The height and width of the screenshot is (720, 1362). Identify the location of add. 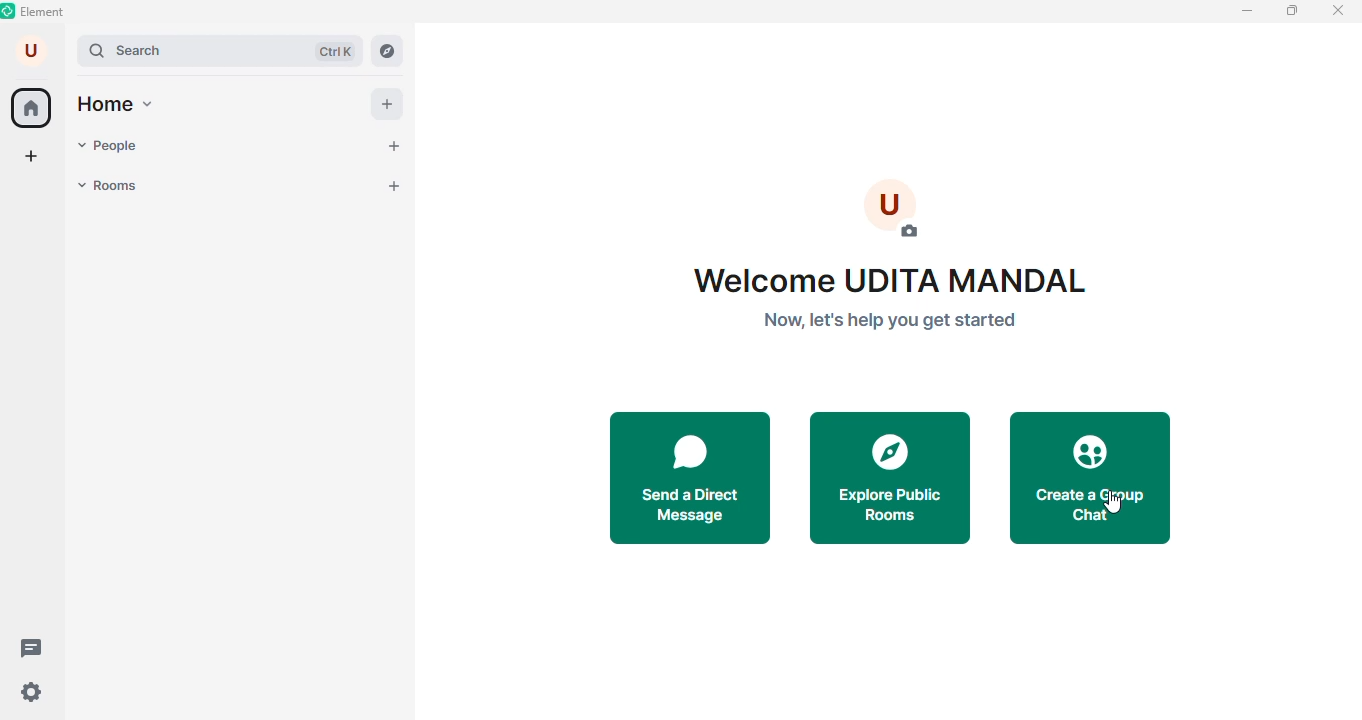
(387, 104).